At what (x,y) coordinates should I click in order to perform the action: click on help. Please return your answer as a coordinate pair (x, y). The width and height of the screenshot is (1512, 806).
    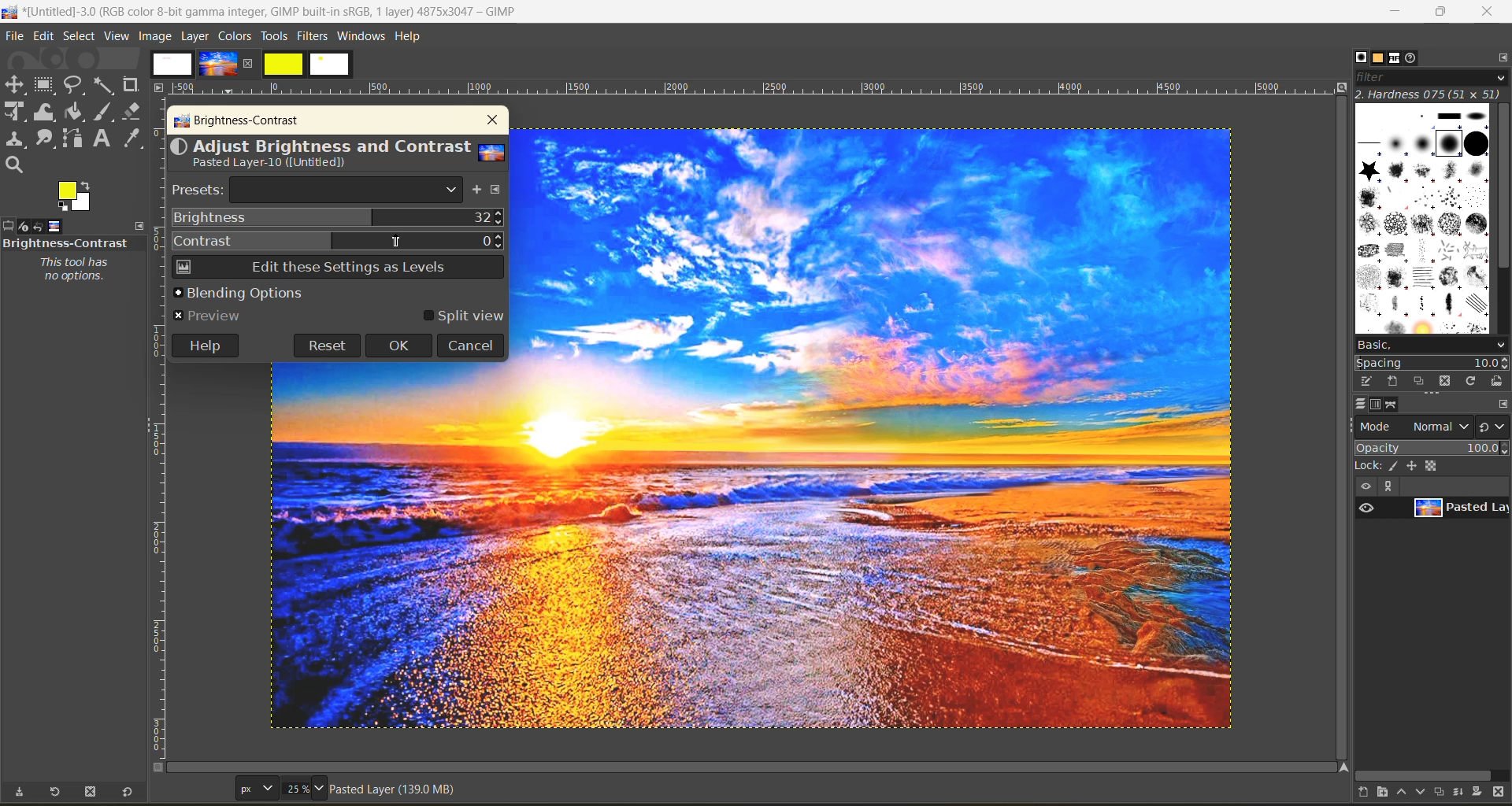
    Looking at the image, I should click on (410, 39).